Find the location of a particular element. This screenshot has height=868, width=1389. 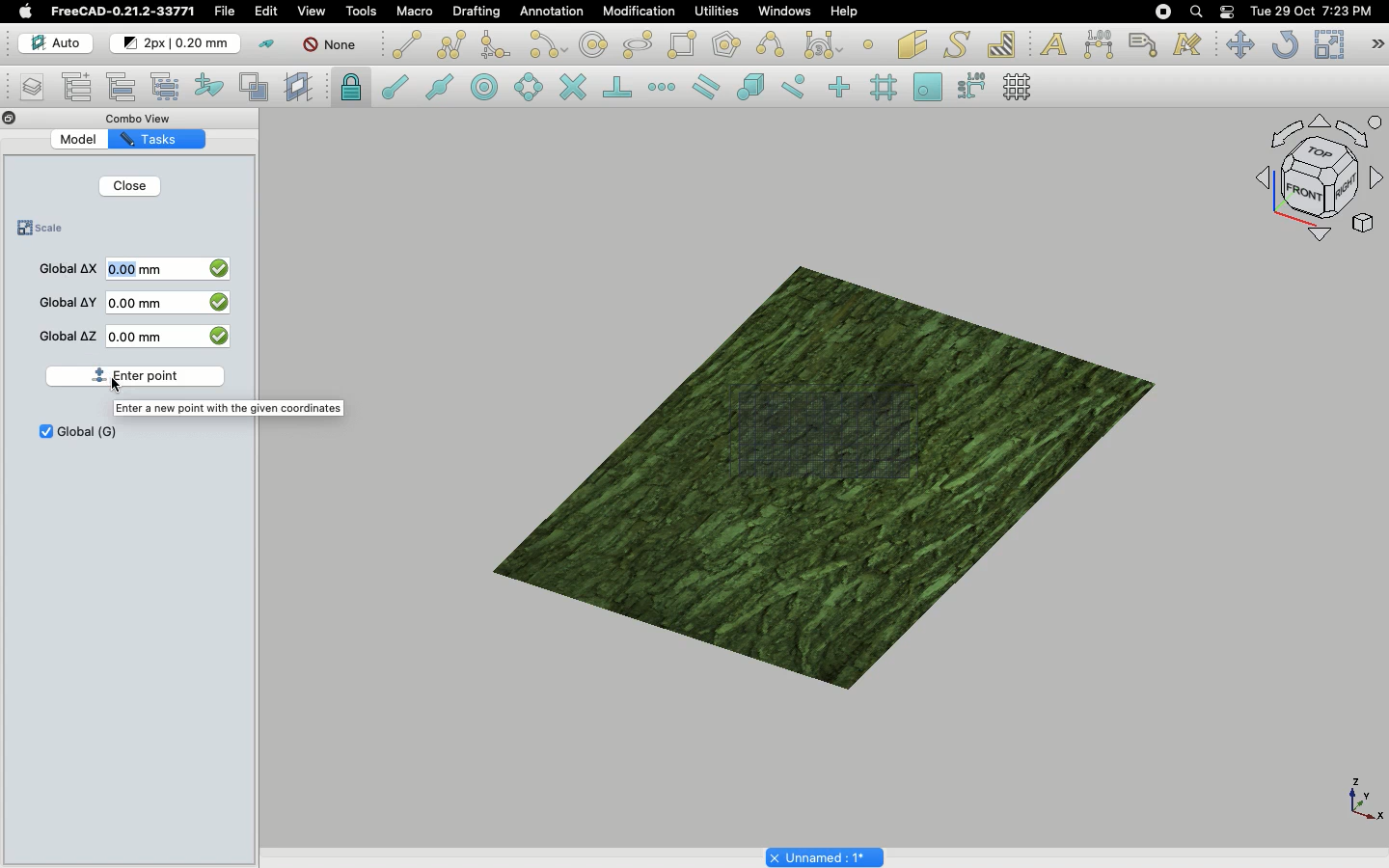

Collapse is located at coordinates (27, 119).